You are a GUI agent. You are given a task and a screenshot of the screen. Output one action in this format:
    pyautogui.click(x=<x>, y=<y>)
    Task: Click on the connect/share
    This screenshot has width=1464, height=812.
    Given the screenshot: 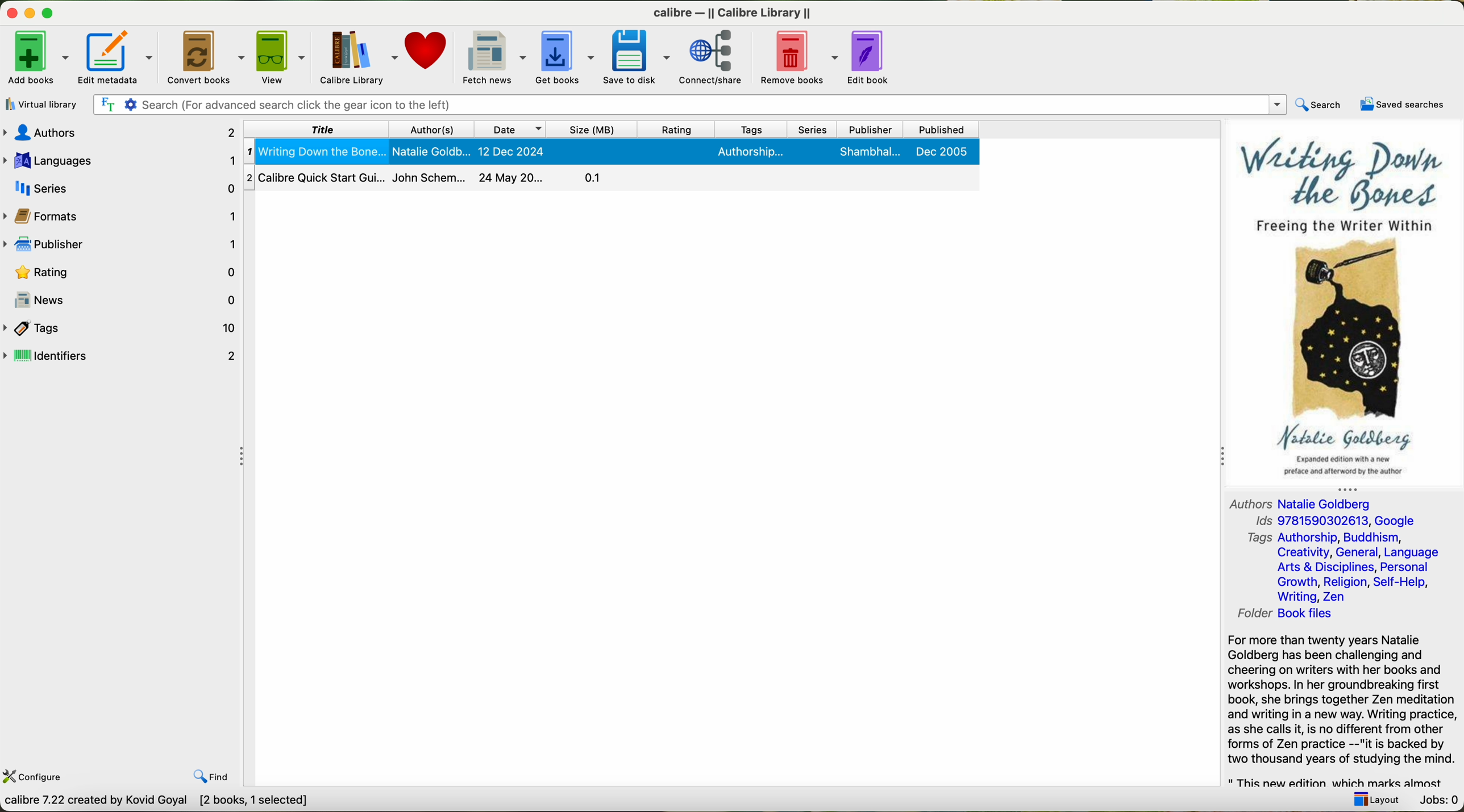 What is the action you would take?
    pyautogui.click(x=710, y=59)
    